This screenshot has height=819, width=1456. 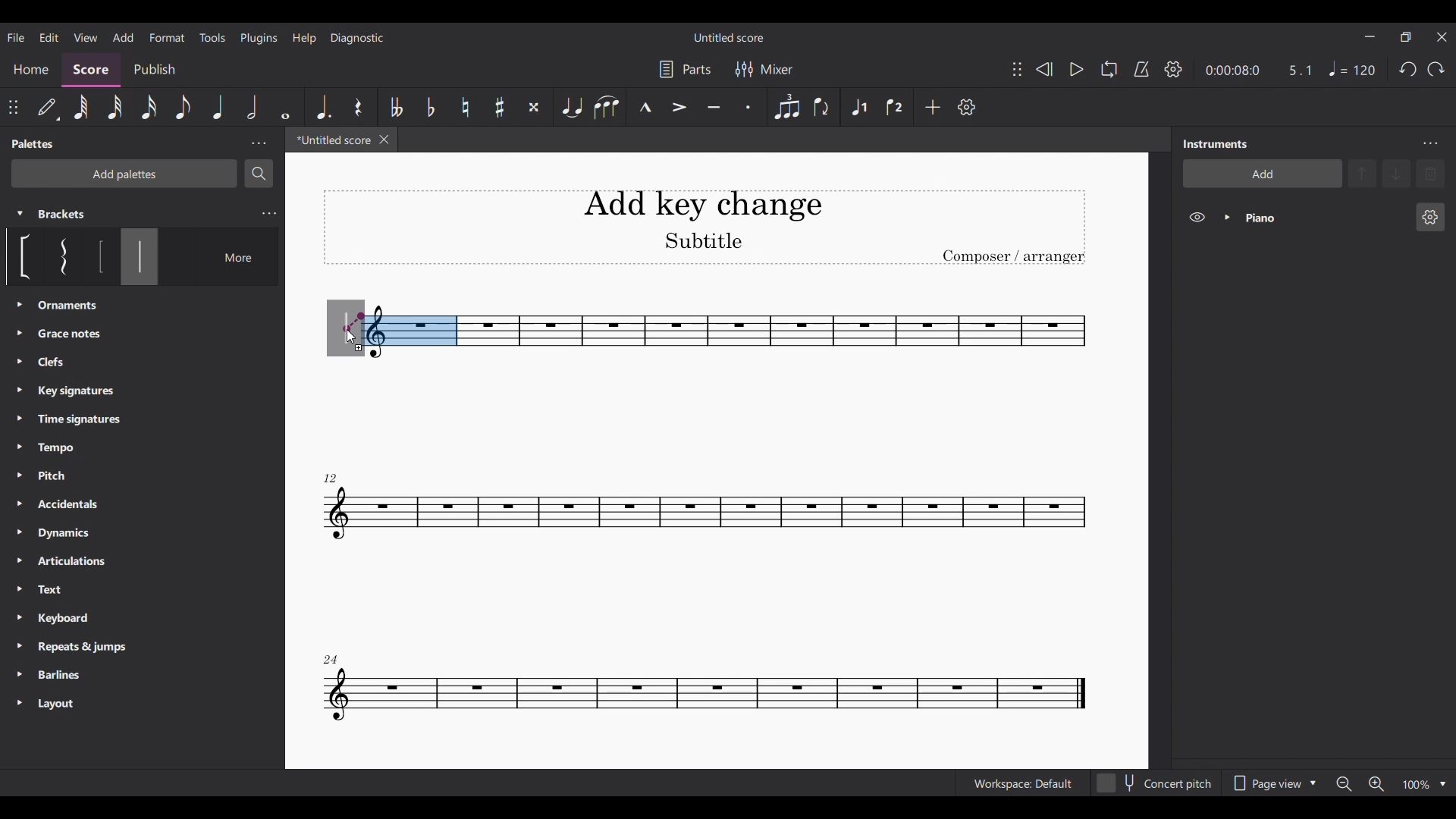 What do you see at coordinates (184, 107) in the screenshot?
I see `8th note` at bounding box center [184, 107].